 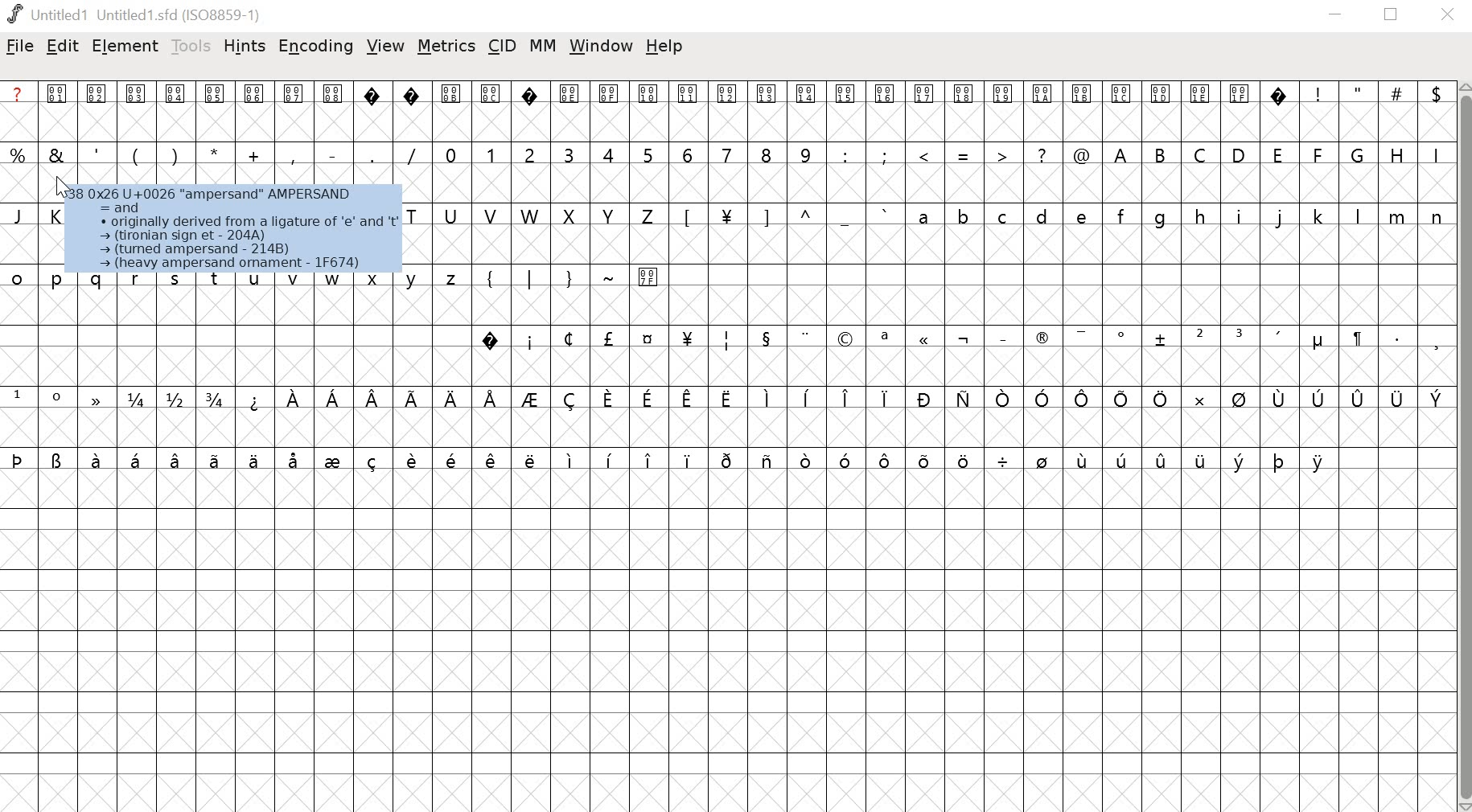 What do you see at coordinates (491, 337) in the screenshot?
I see `?` at bounding box center [491, 337].